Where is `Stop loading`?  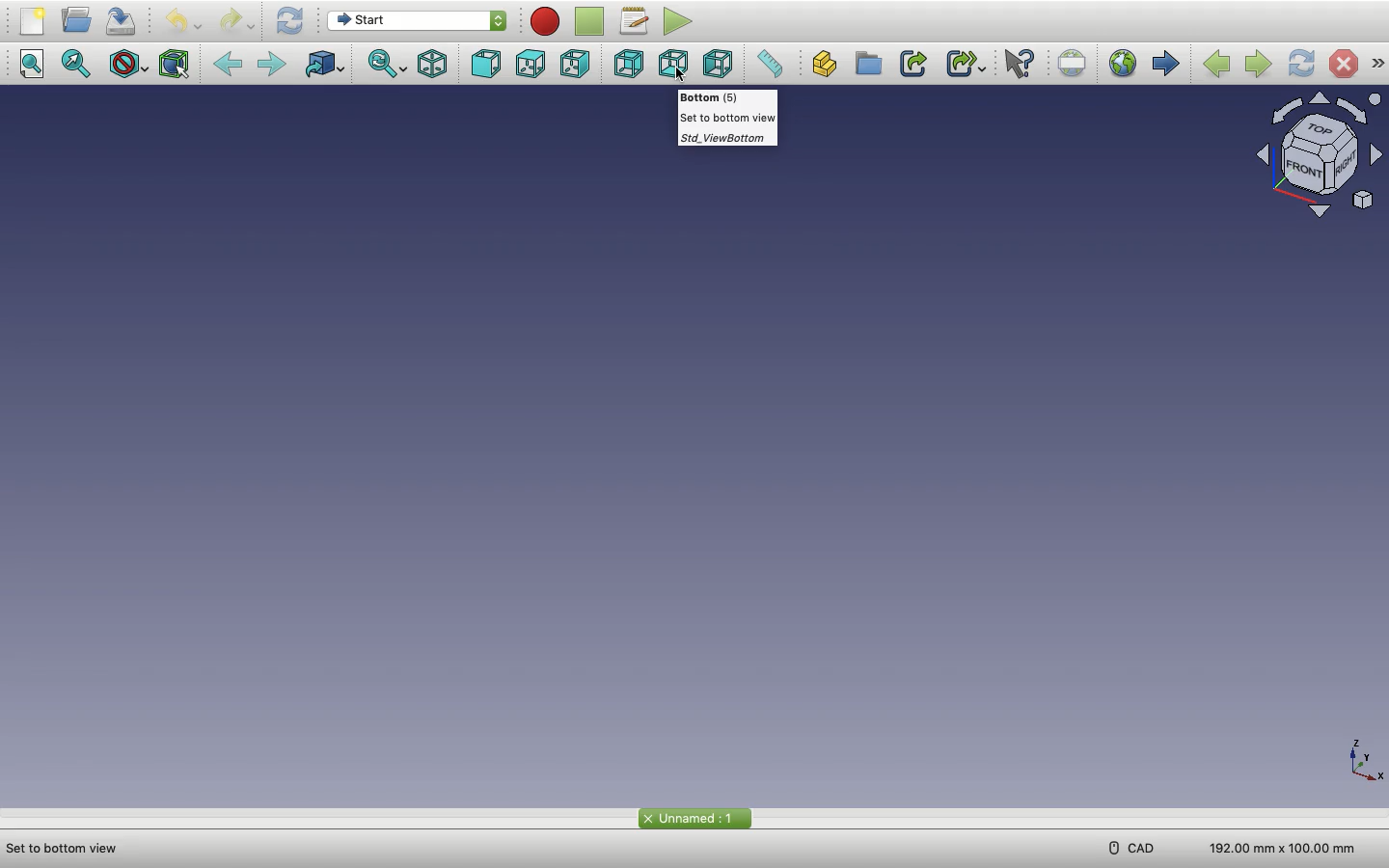 Stop loading is located at coordinates (1344, 64).